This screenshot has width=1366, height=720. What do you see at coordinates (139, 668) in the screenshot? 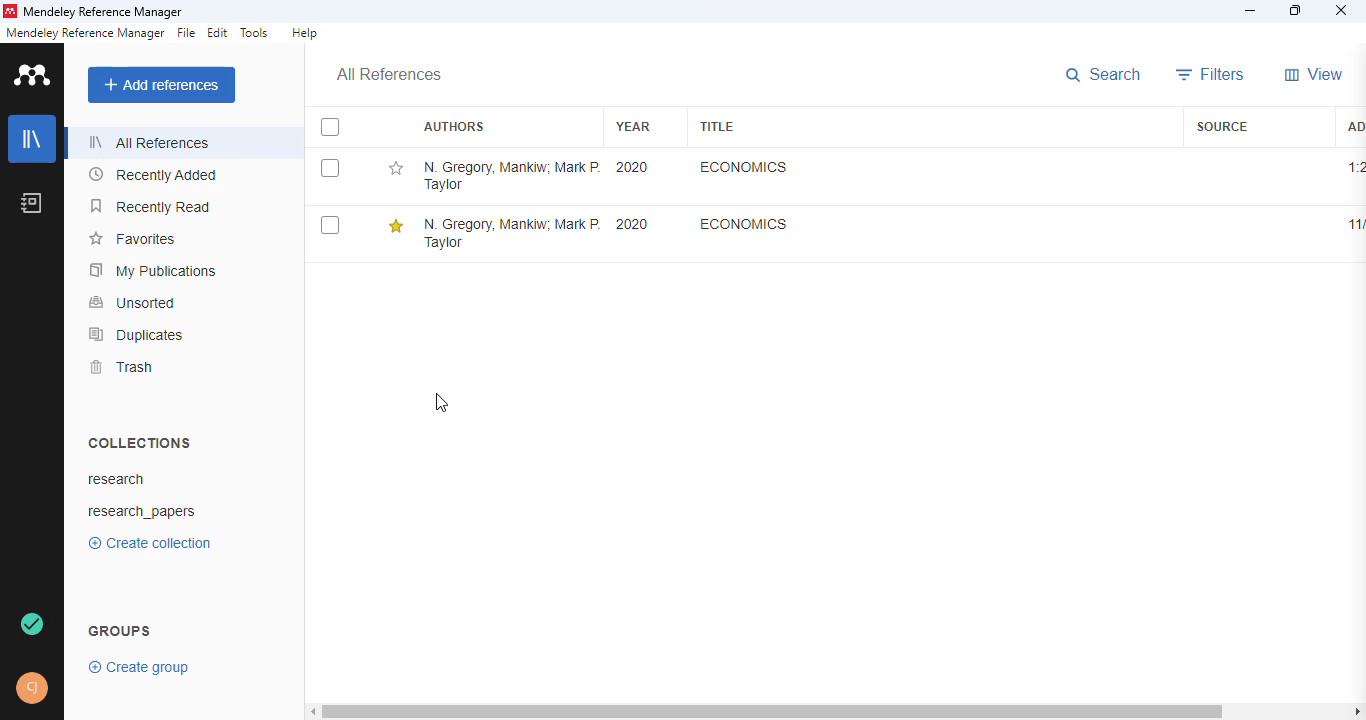
I see `create group` at bounding box center [139, 668].